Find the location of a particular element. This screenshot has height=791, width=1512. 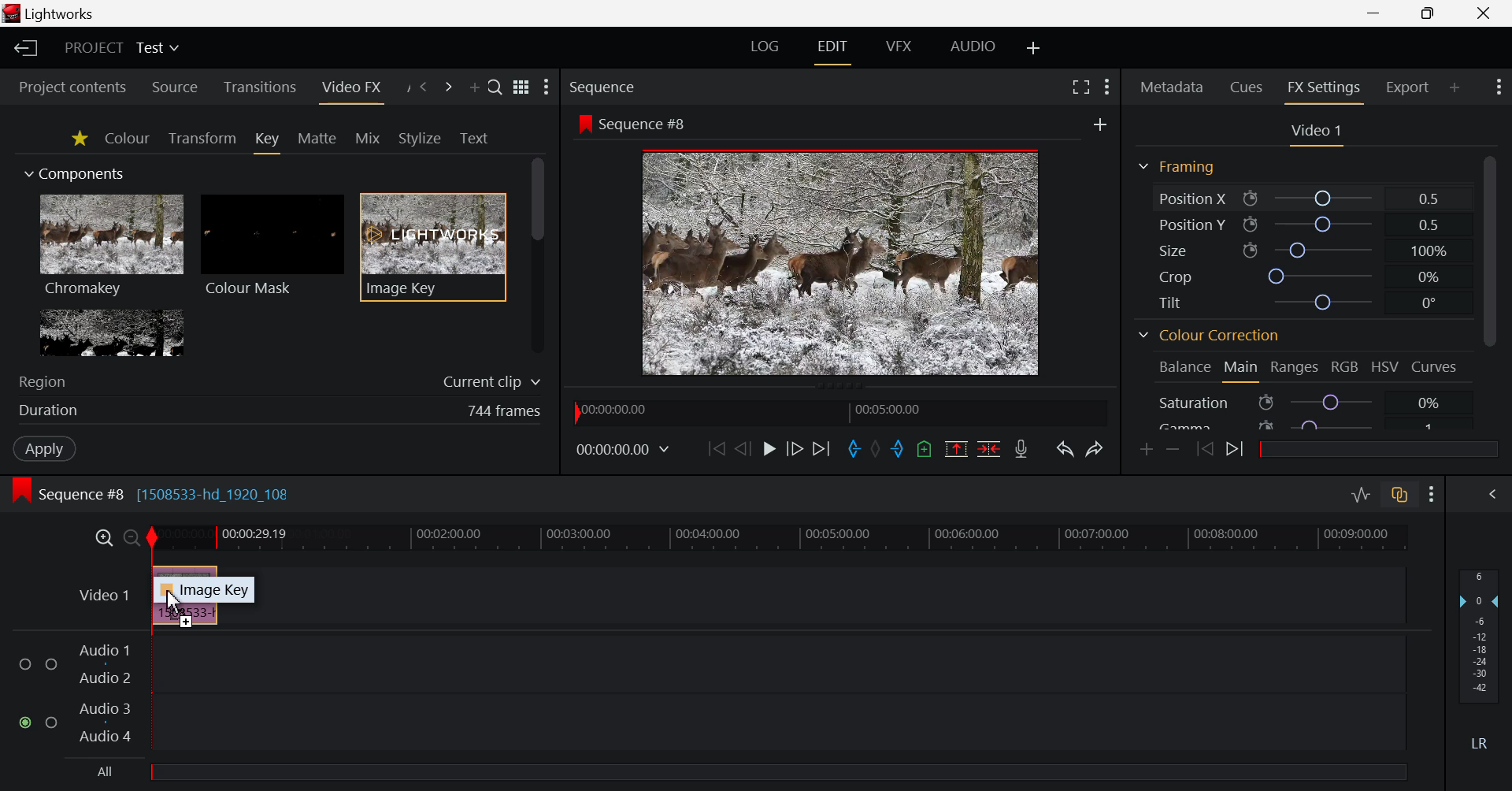

Restore Down is located at coordinates (1375, 13).